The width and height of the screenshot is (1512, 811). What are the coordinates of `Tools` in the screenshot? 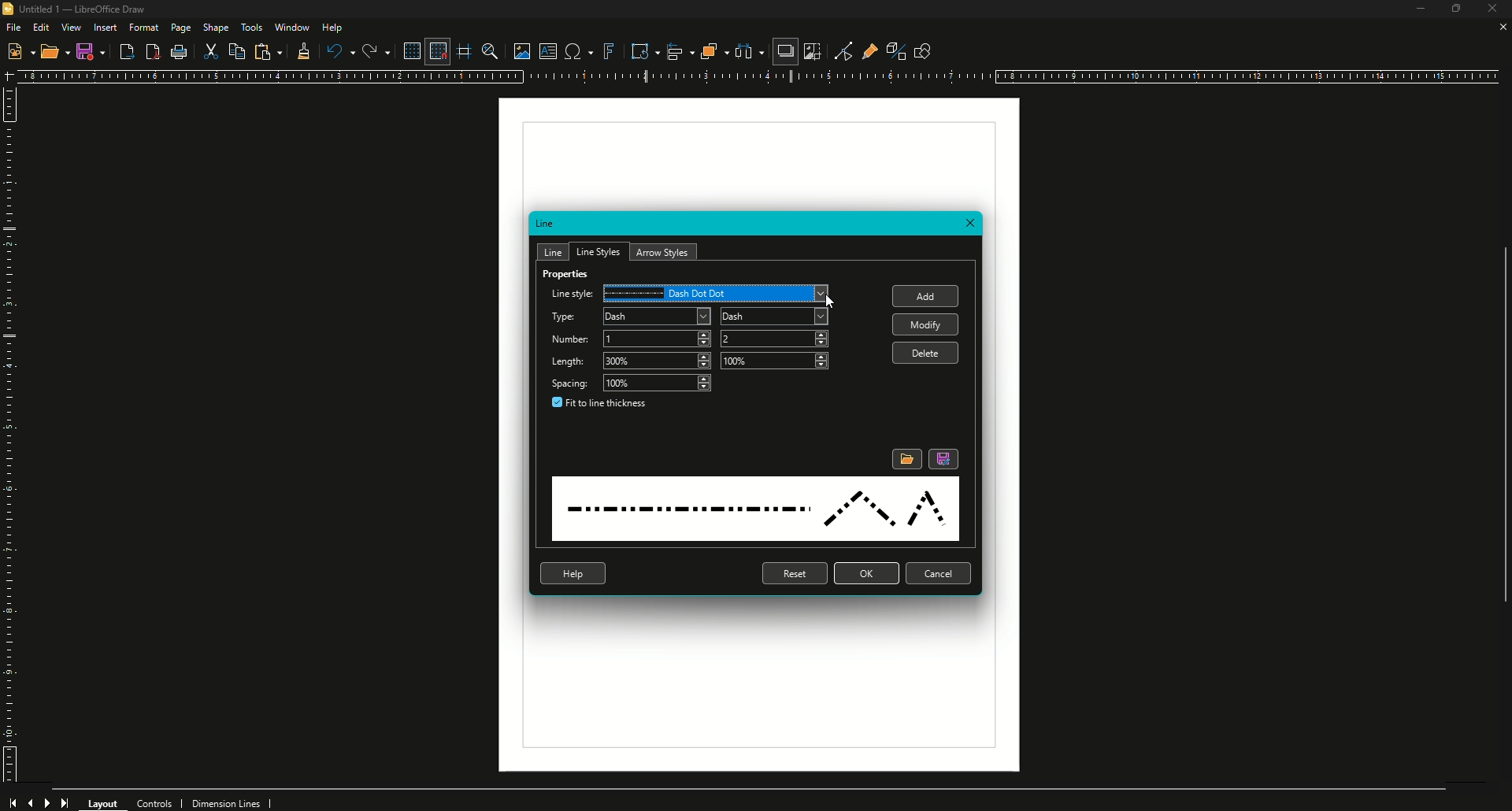 It's located at (251, 28).